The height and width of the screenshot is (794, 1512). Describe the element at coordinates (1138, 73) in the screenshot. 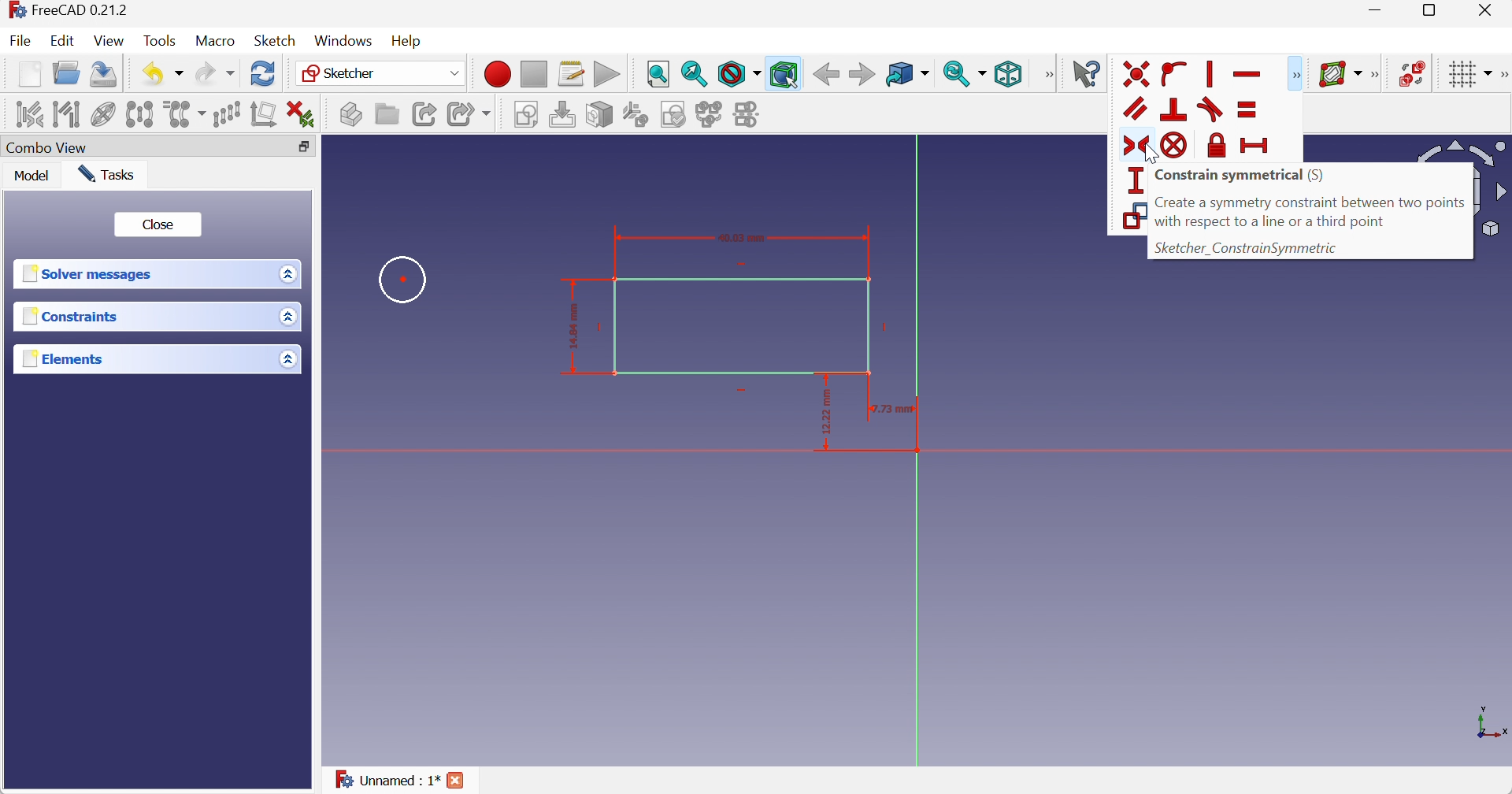

I see `Constrain coincident` at that location.